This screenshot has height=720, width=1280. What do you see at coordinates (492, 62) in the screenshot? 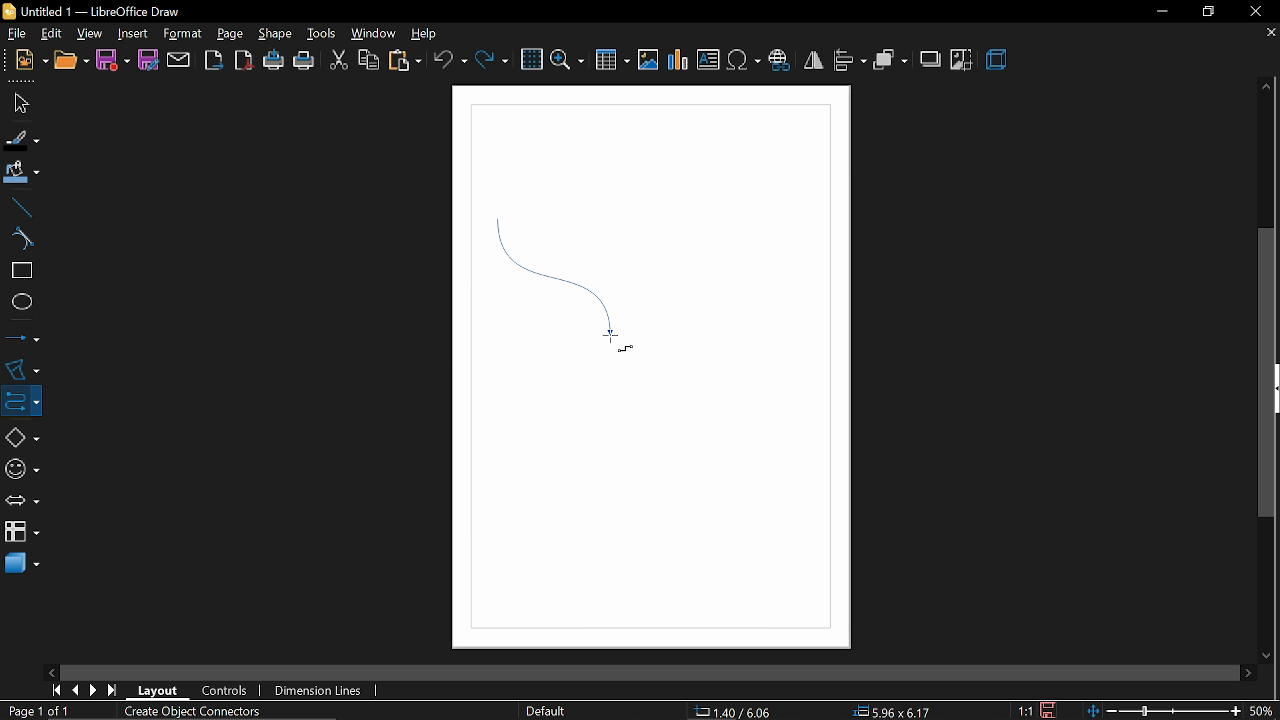
I see `redo` at bounding box center [492, 62].